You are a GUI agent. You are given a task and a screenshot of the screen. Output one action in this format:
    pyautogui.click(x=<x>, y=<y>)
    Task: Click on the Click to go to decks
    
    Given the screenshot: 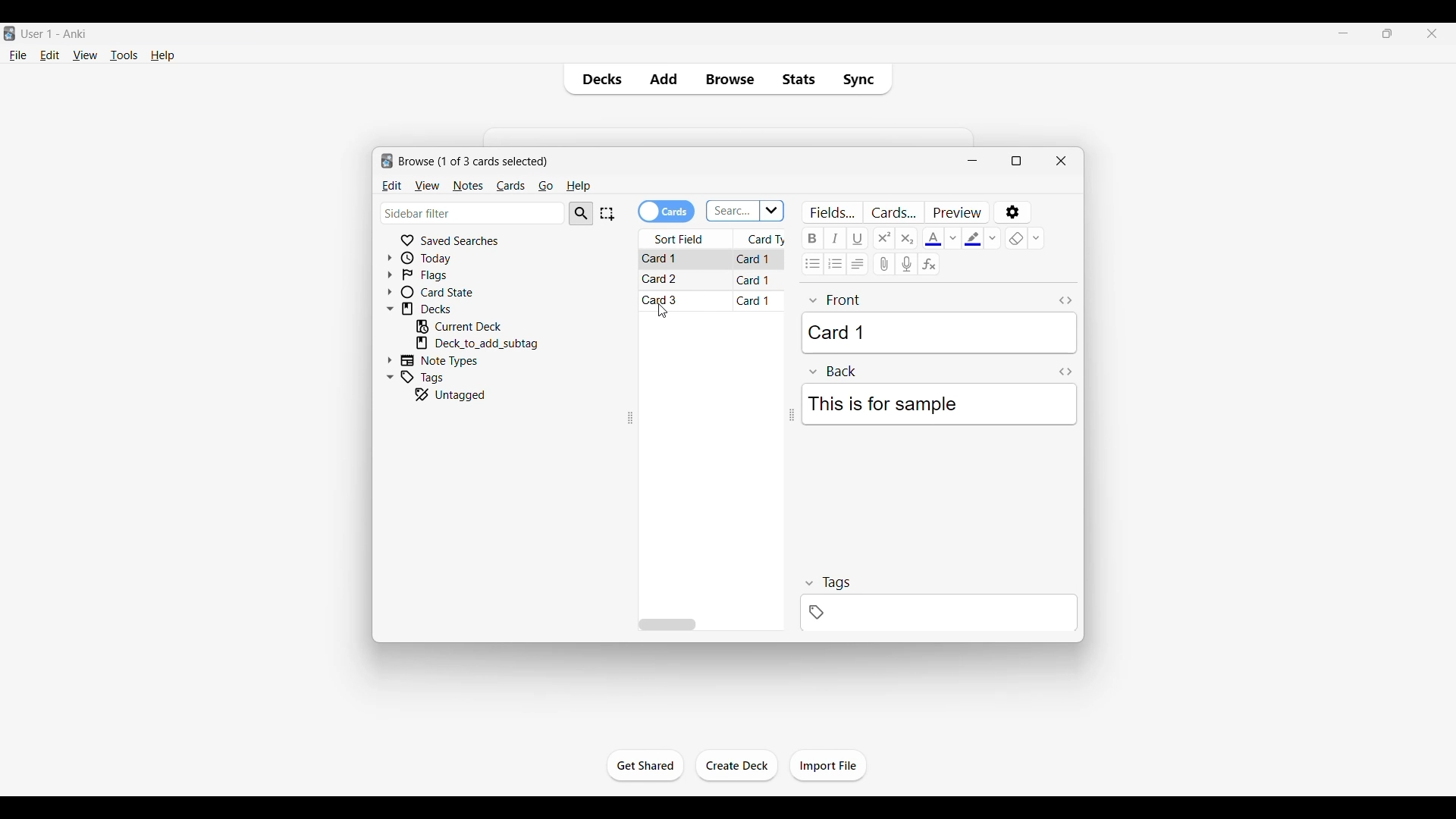 What is the action you would take?
    pyautogui.click(x=450, y=309)
    